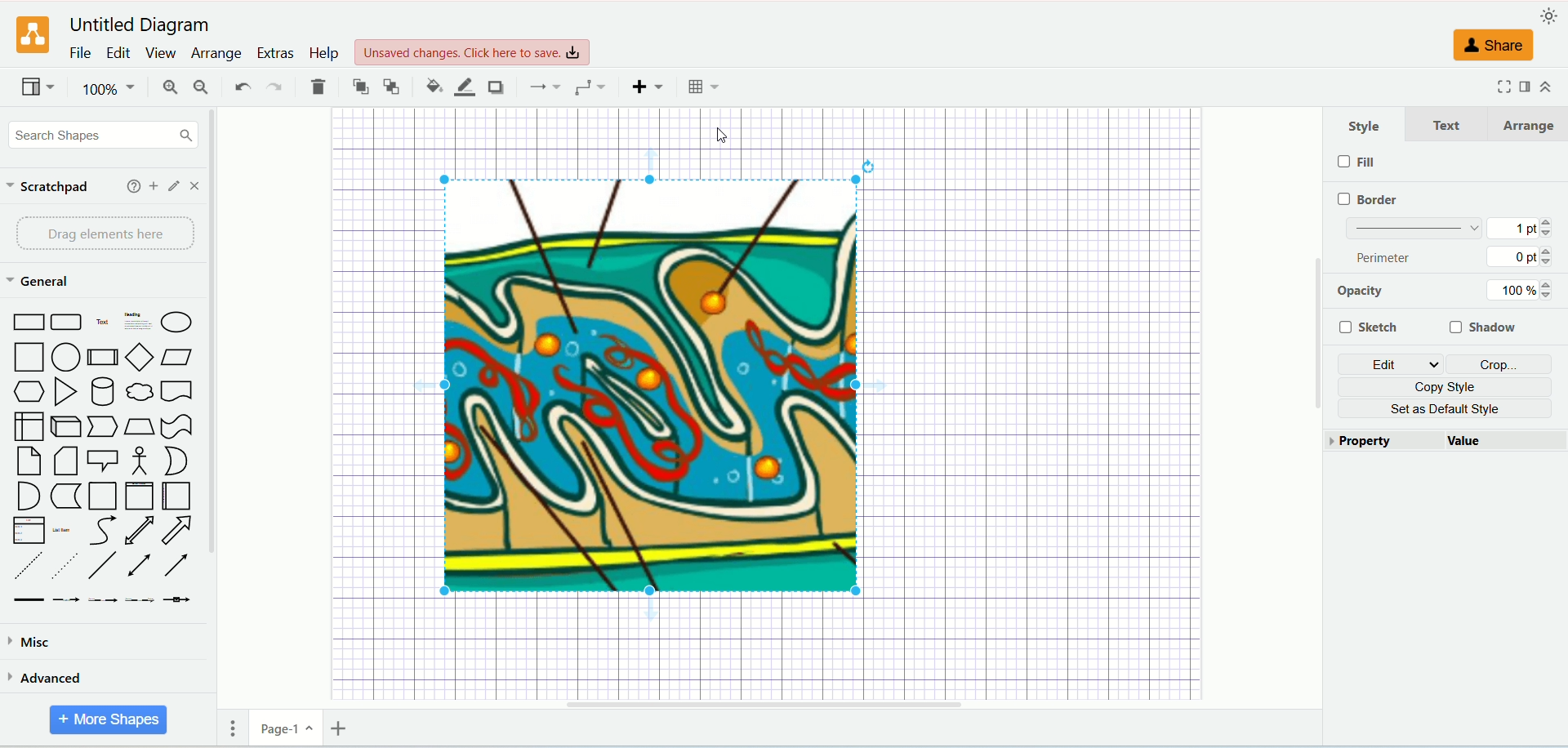 Image resolution: width=1568 pixels, height=748 pixels. I want to click on advanced, so click(47, 677).